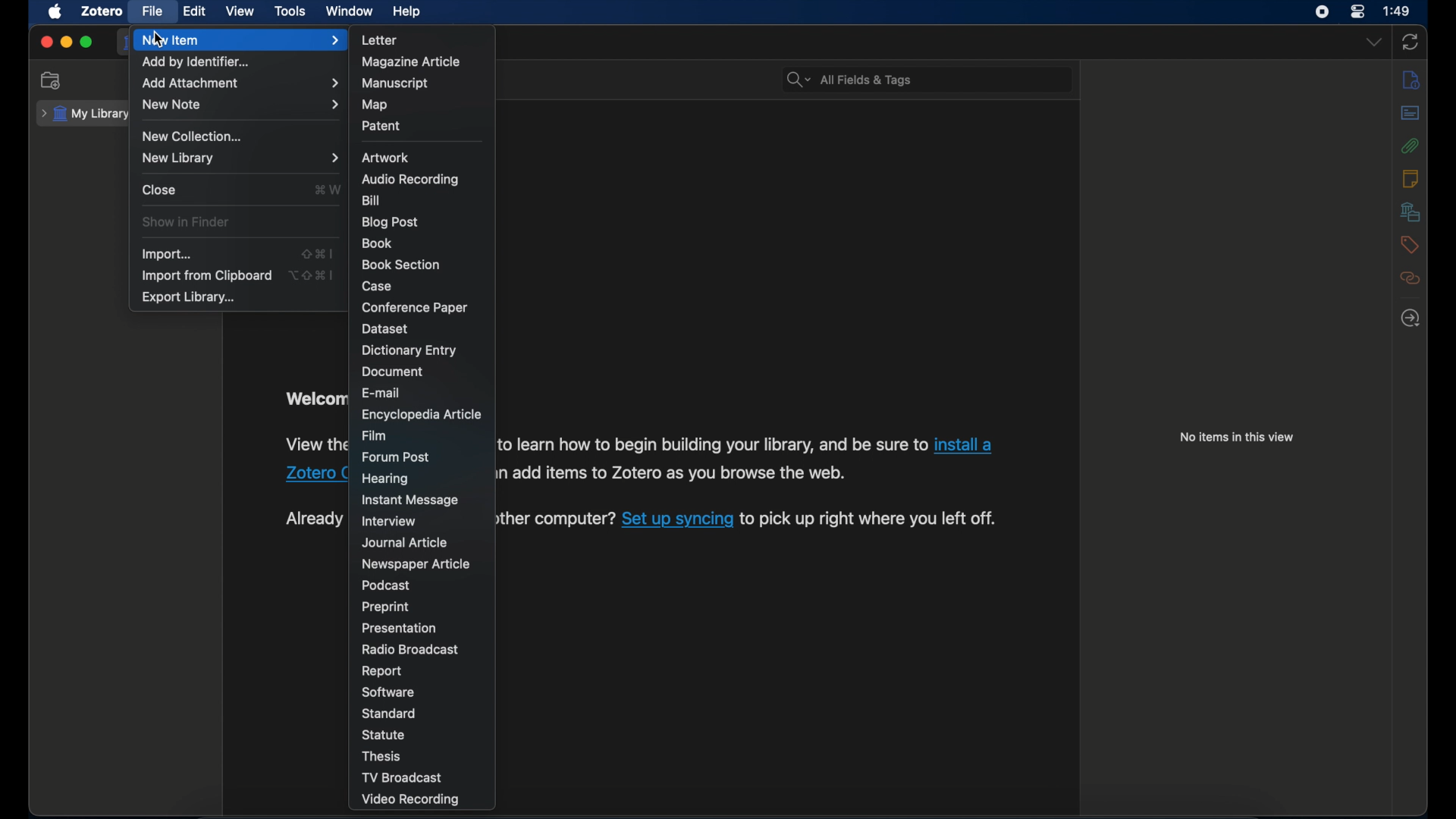  What do you see at coordinates (924, 79) in the screenshot?
I see `All Fields & Tags` at bounding box center [924, 79].